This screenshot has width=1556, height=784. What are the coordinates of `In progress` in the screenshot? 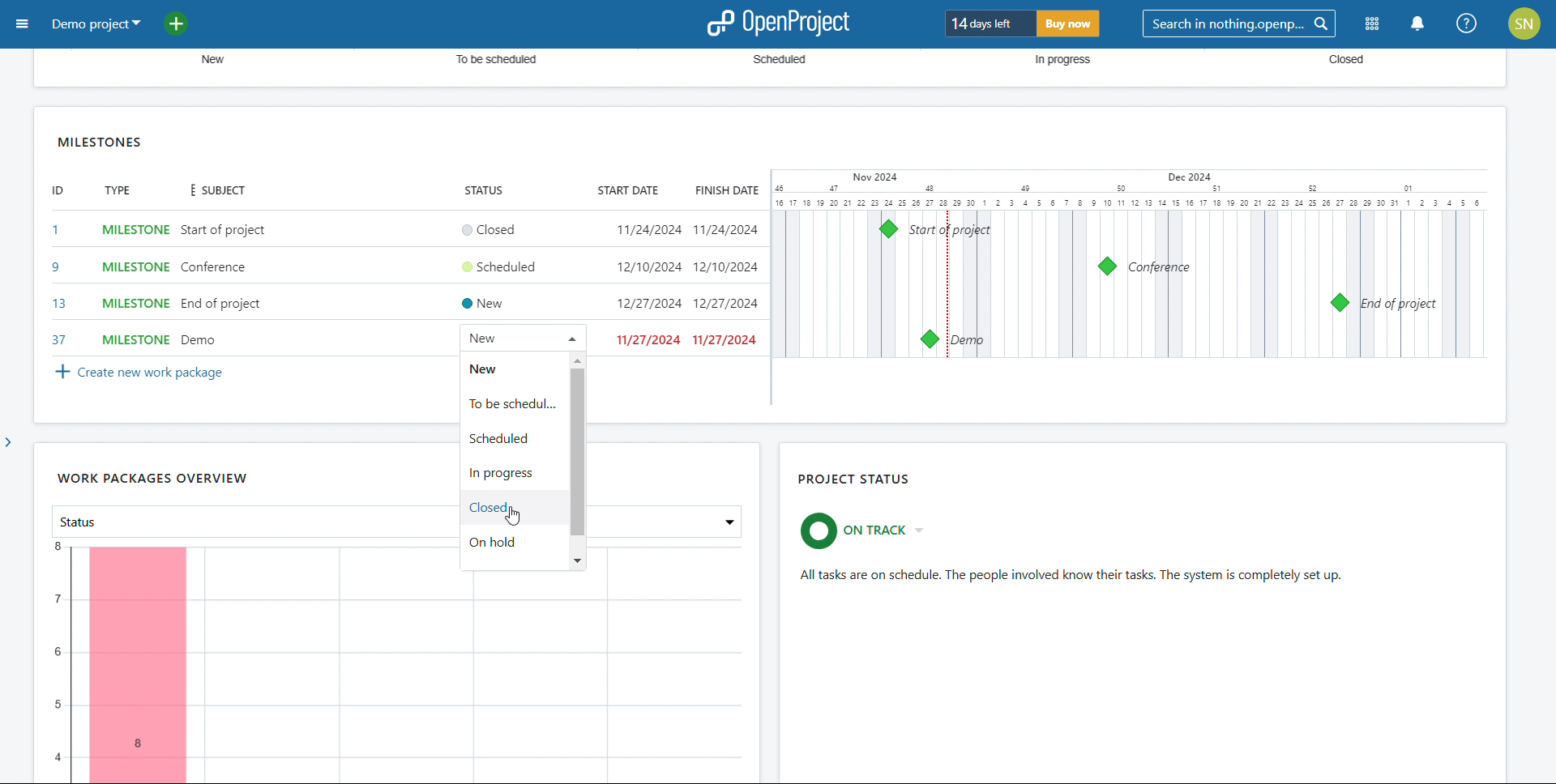 It's located at (1057, 61).